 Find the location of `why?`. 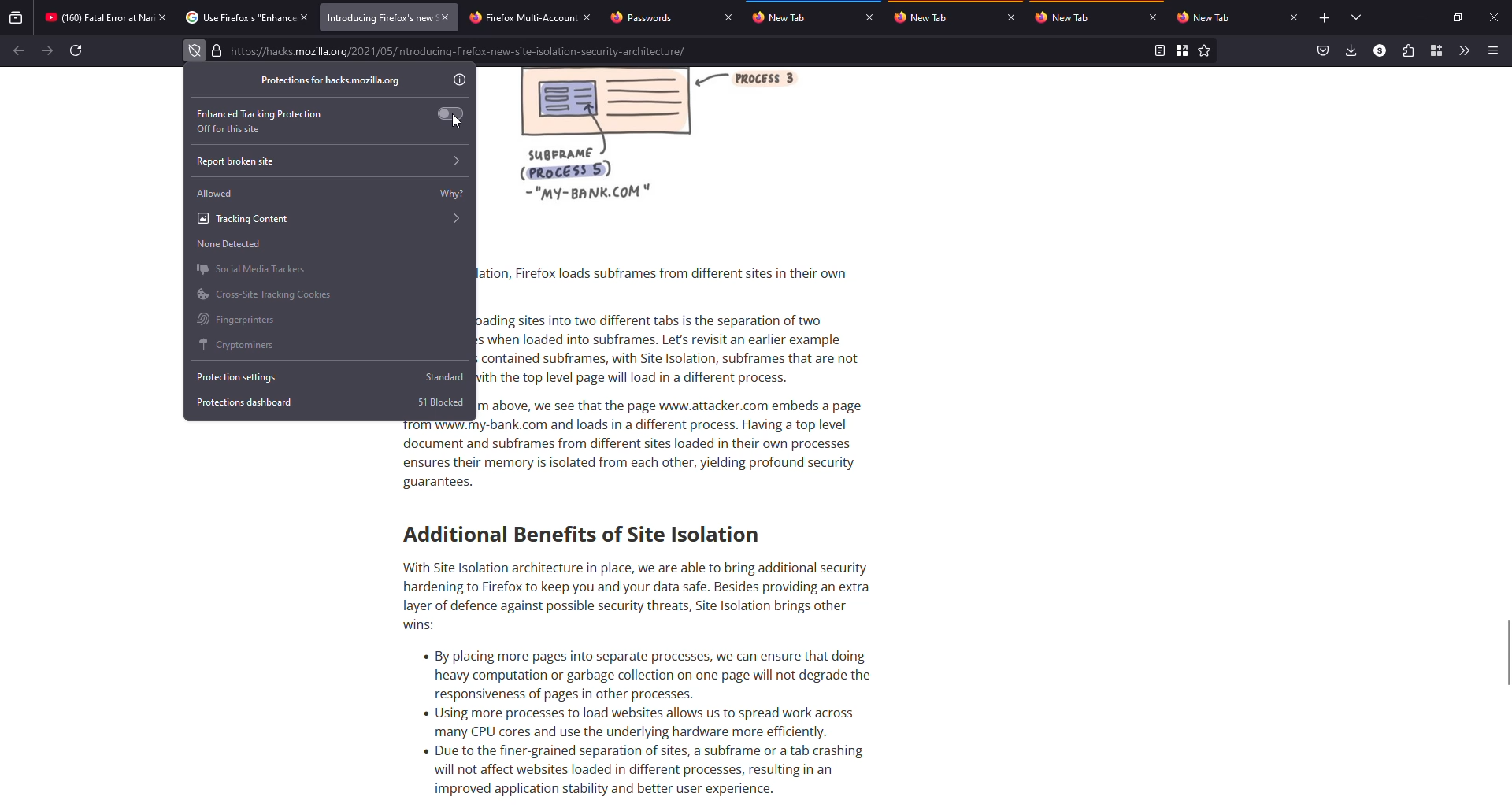

why? is located at coordinates (452, 195).